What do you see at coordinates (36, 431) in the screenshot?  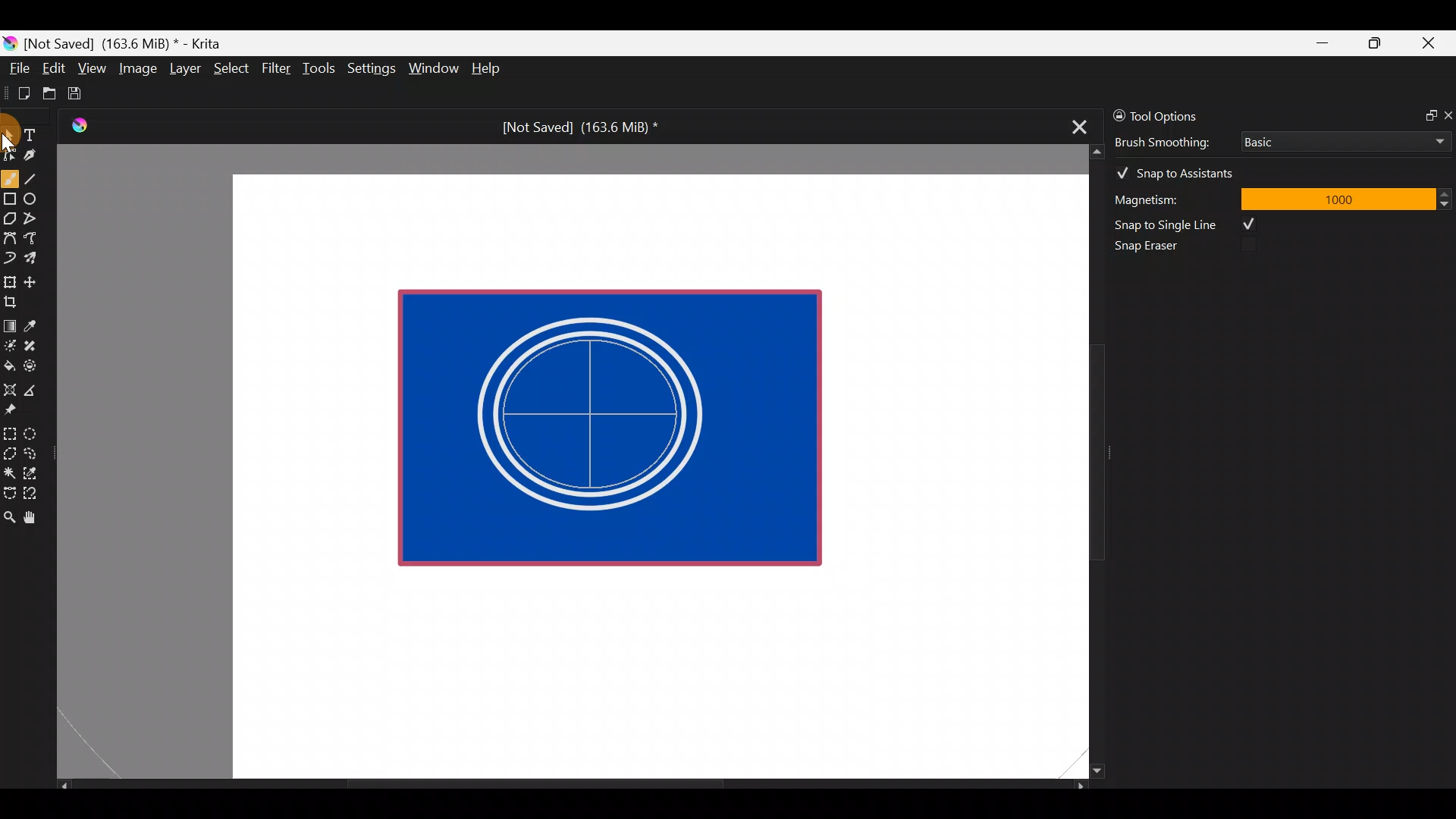 I see `Elliptical selection tool` at bounding box center [36, 431].